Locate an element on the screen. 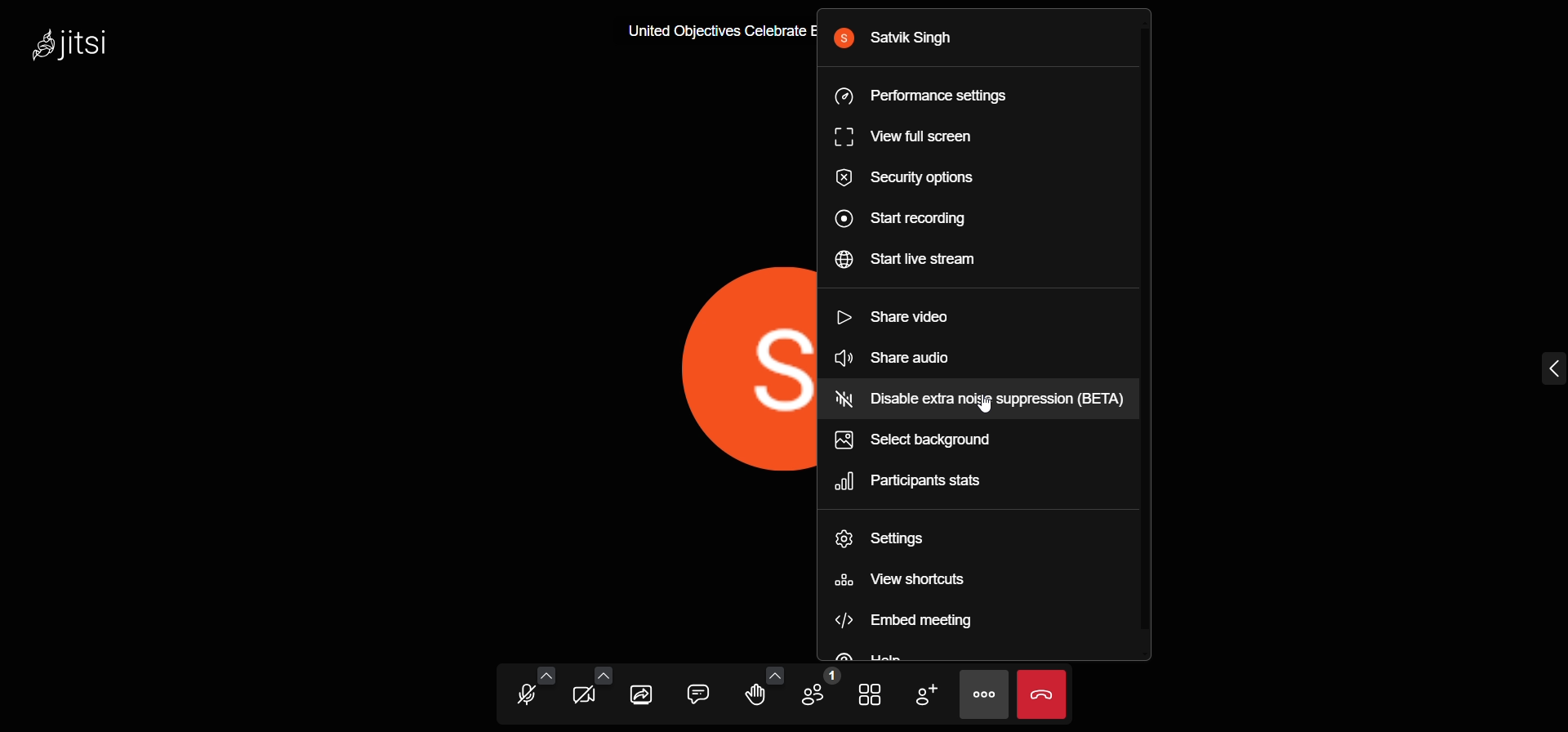 This screenshot has width=1568, height=732. share video is located at coordinates (897, 318).